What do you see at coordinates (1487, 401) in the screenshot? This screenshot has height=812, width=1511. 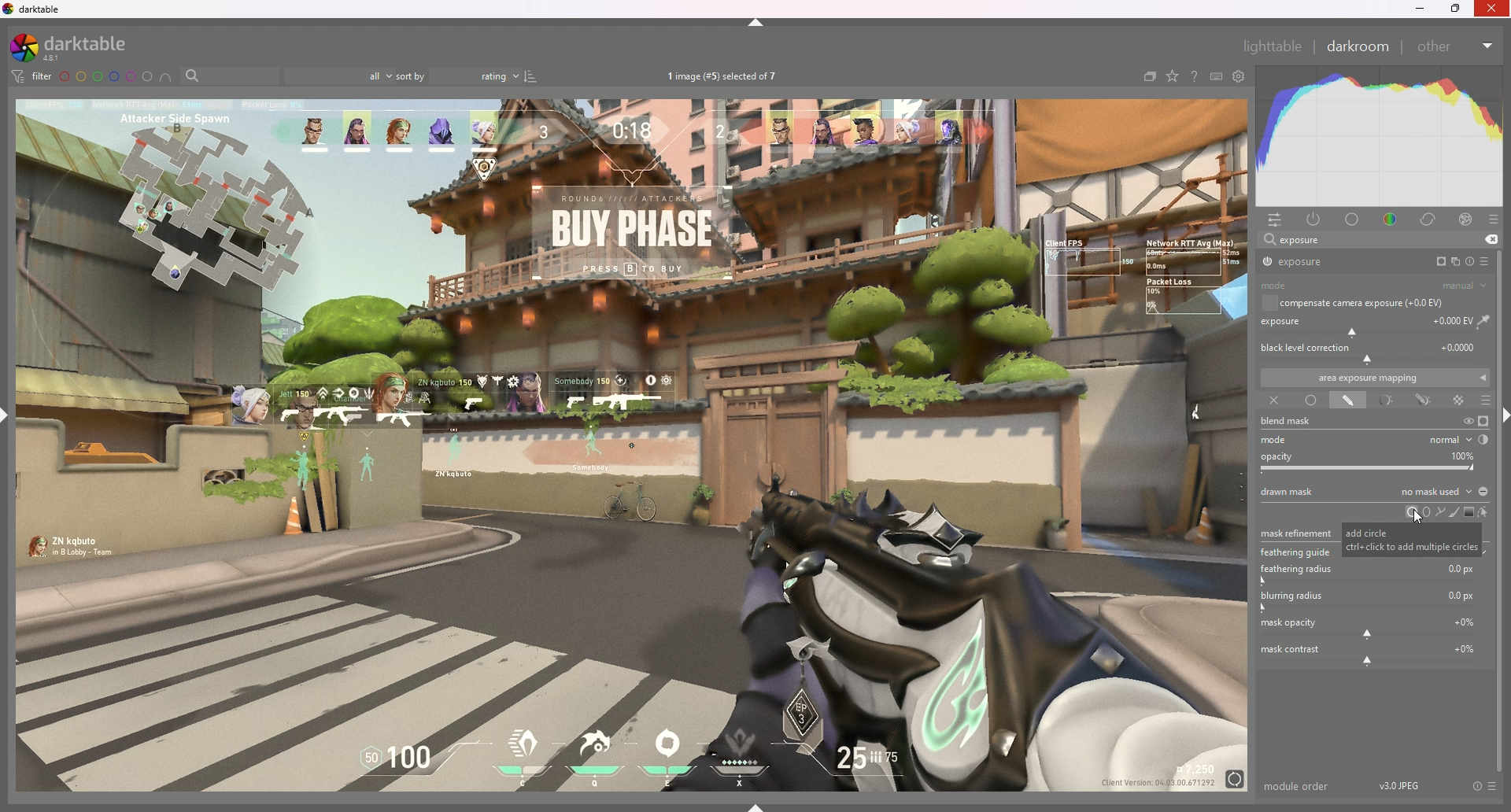 I see `blending options` at bounding box center [1487, 401].